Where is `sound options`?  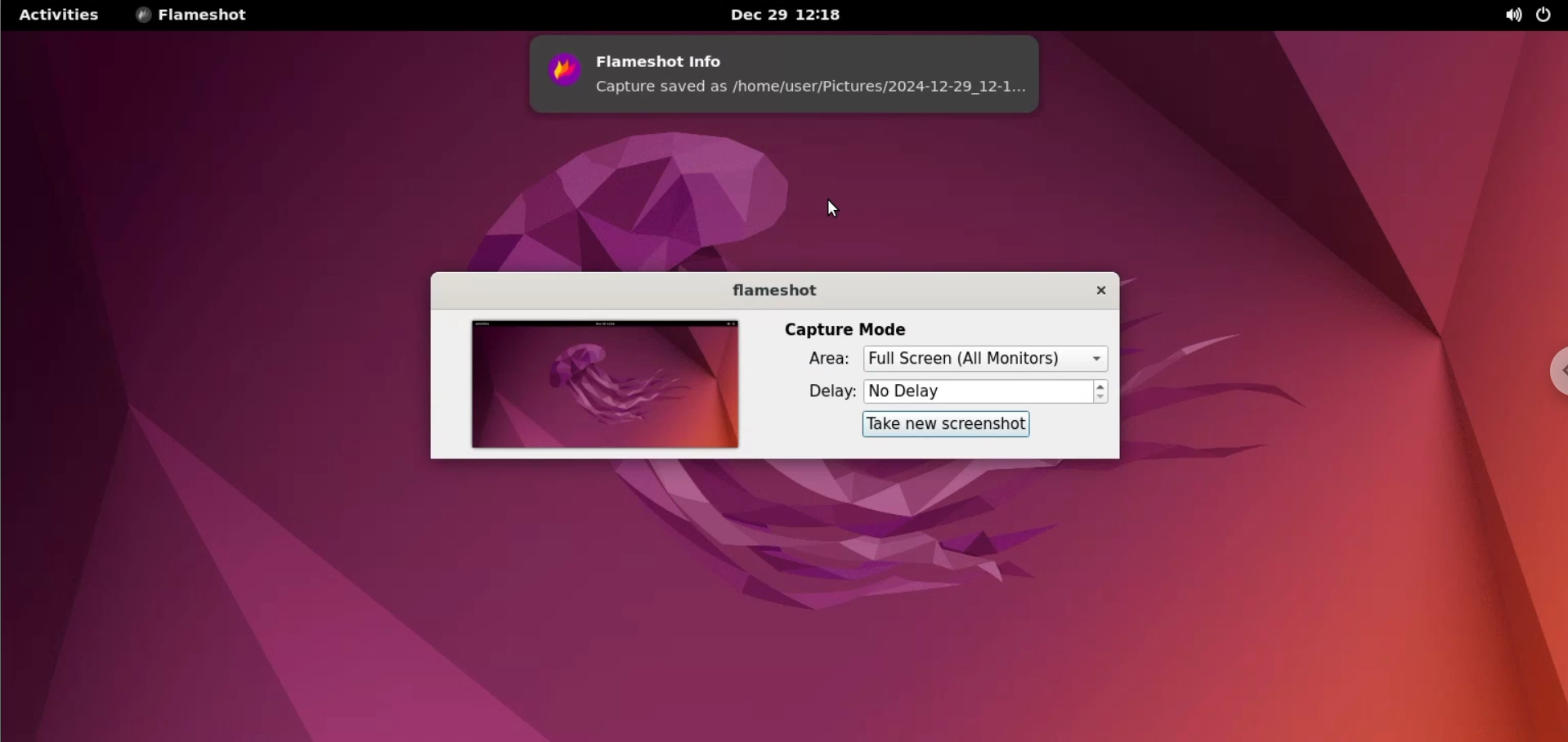
sound options is located at coordinates (1512, 17).